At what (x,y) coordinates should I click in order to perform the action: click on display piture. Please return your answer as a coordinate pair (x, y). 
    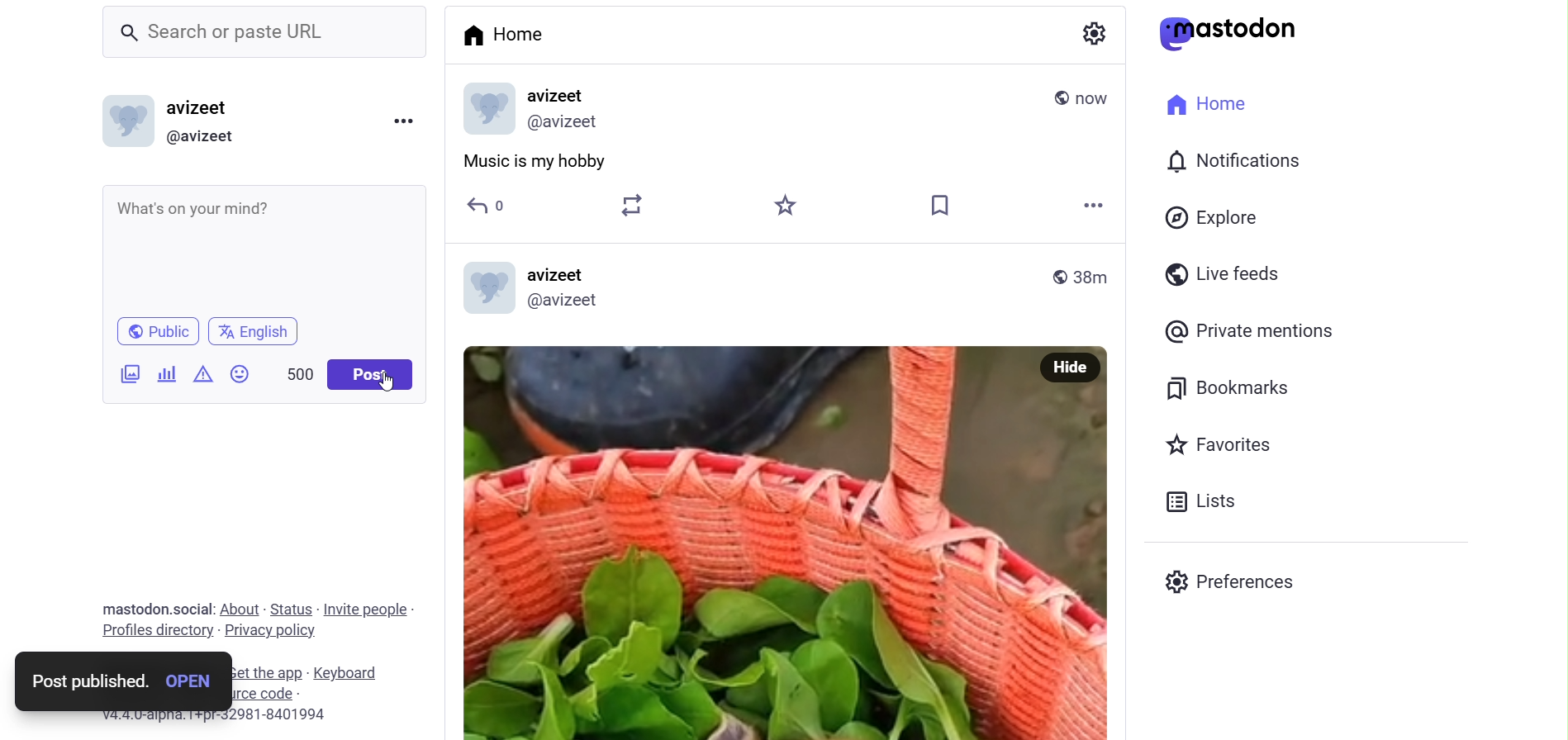
    Looking at the image, I should click on (490, 292).